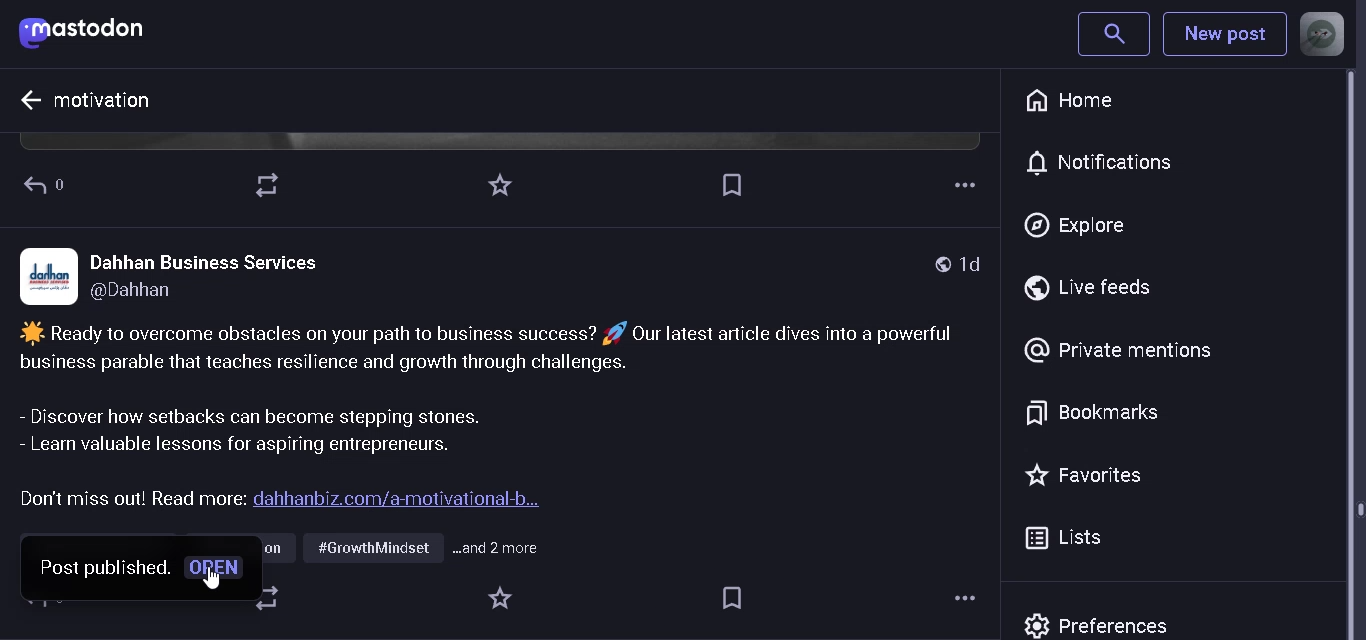 This screenshot has height=640, width=1366. What do you see at coordinates (1357, 353) in the screenshot?
I see `Scrollbar` at bounding box center [1357, 353].